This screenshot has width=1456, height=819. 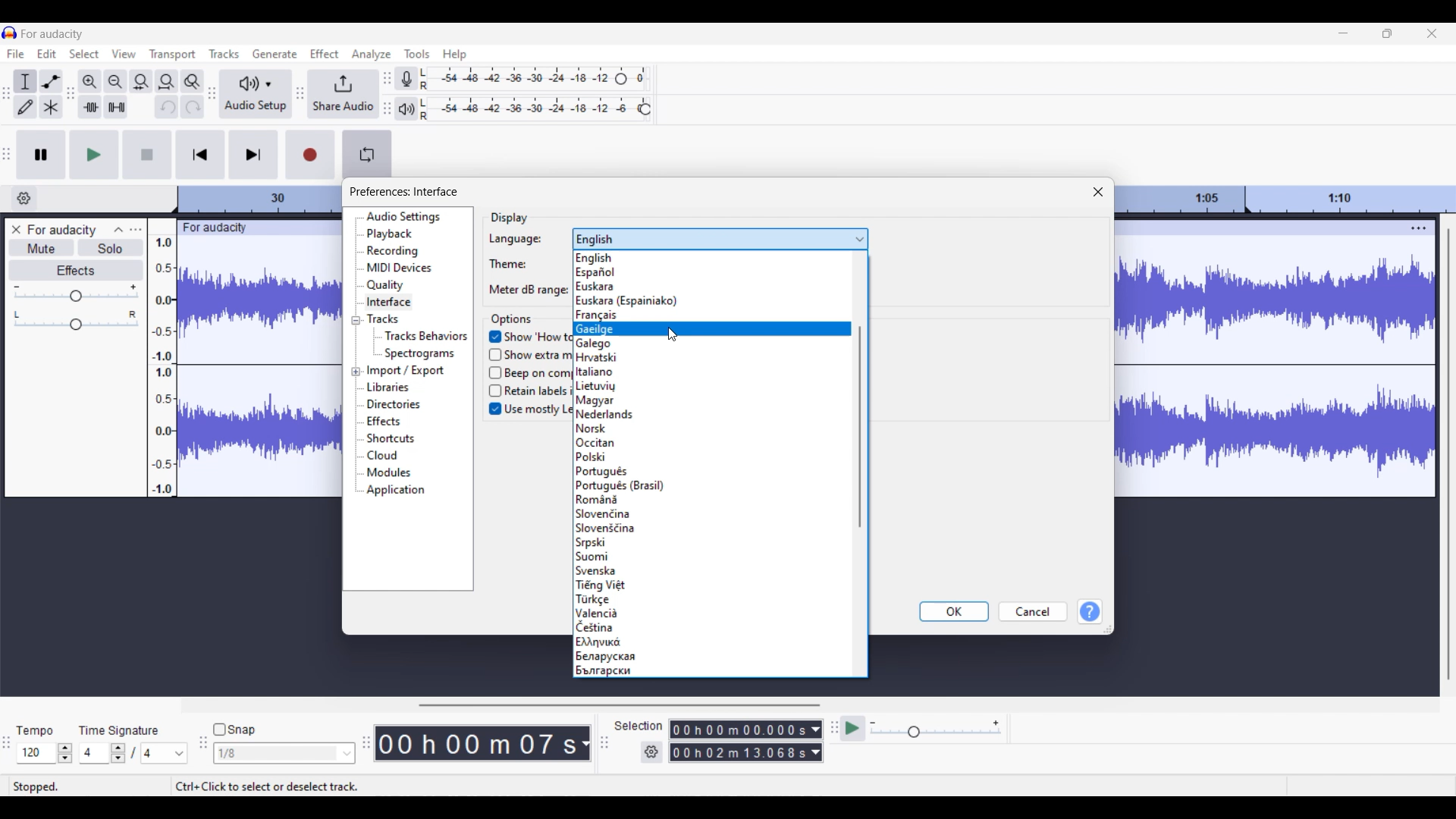 What do you see at coordinates (601, 513) in the screenshot?
I see `|Slovenéina` at bounding box center [601, 513].